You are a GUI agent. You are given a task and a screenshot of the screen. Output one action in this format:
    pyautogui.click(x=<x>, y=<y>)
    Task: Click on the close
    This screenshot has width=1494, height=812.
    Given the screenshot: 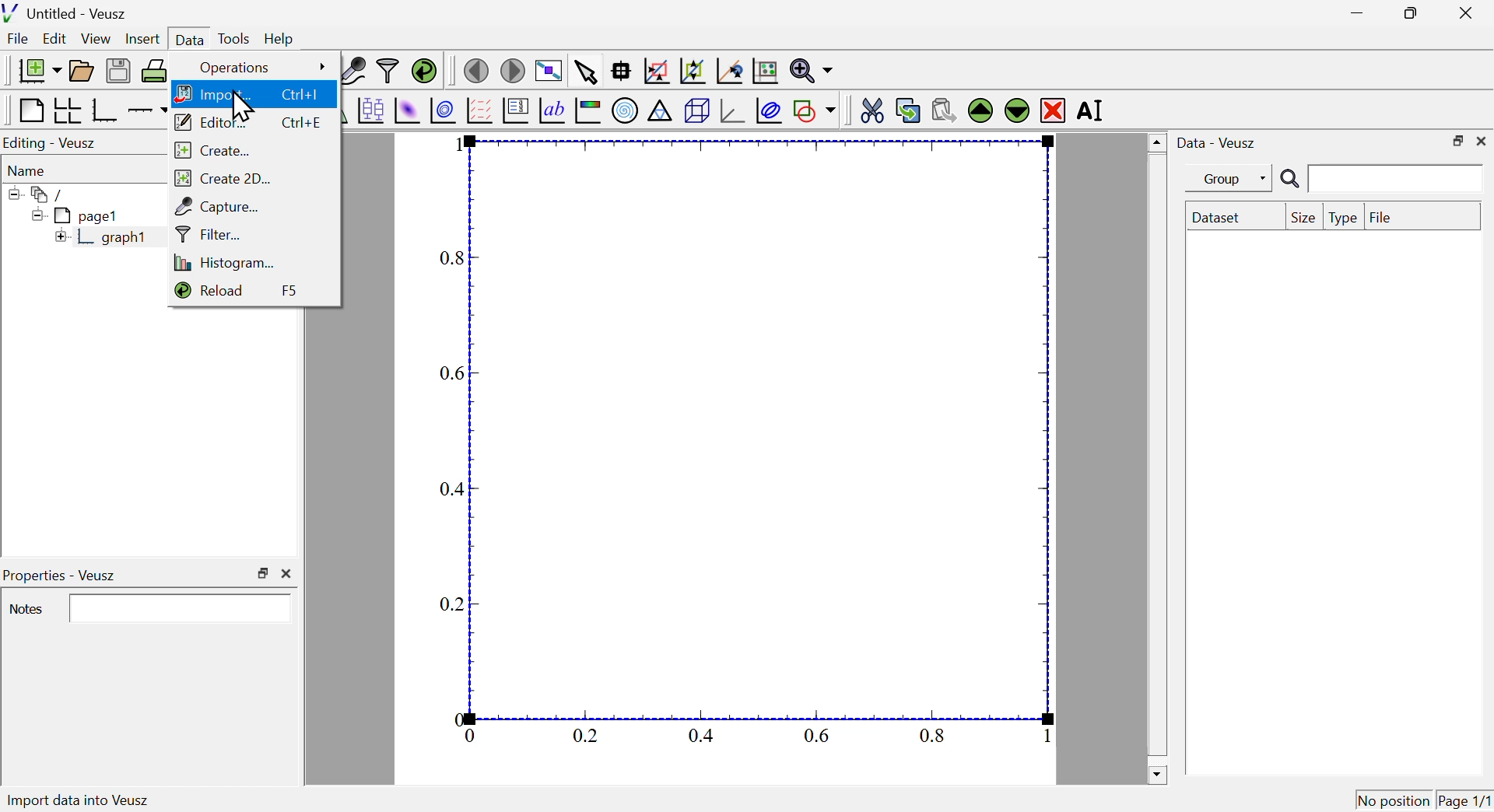 What is the action you would take?
    pyautogui.click(x=1469, y=12)
    